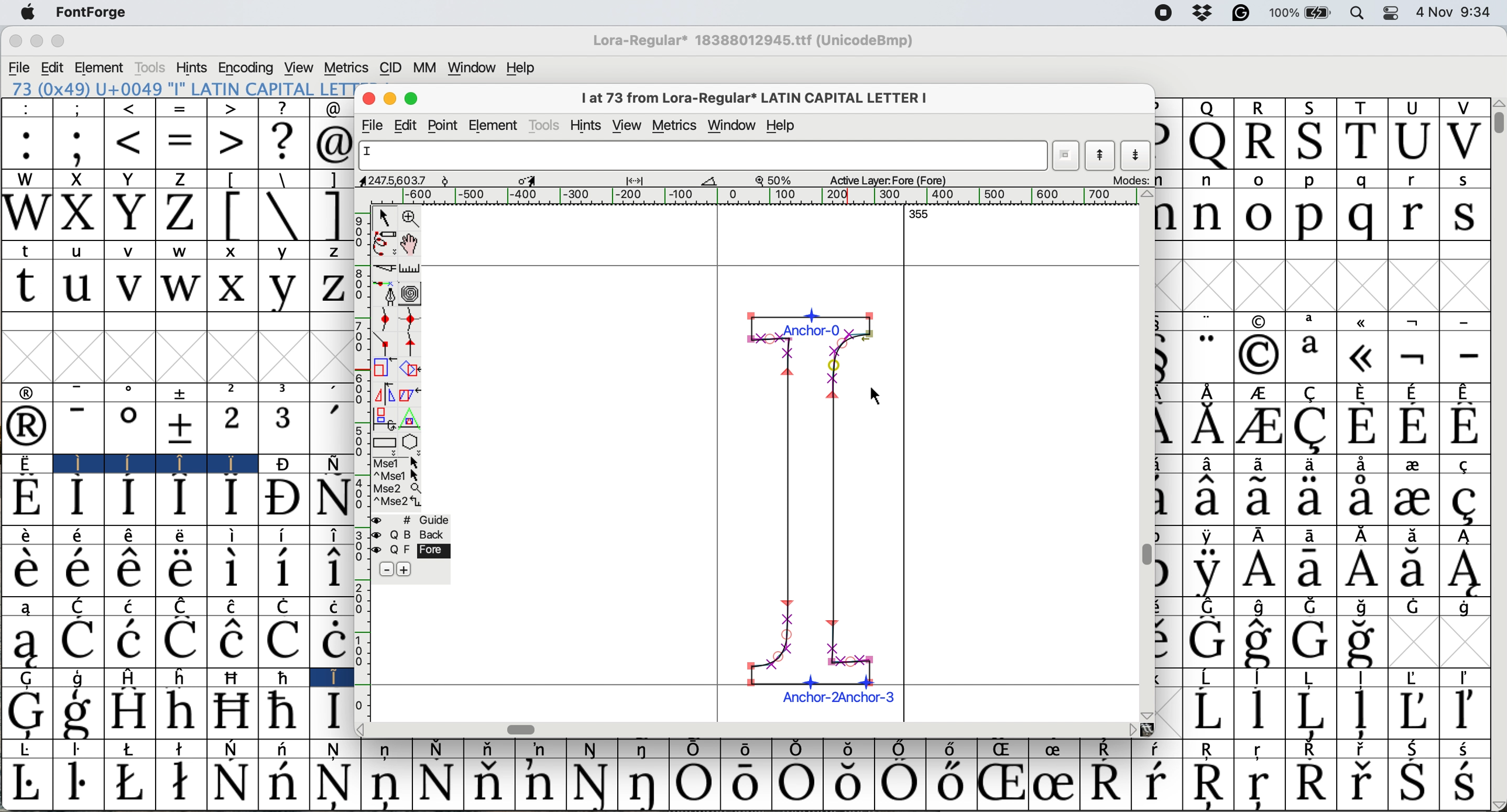 The width and height of the screenshot is (1507, 812). Describe the element at coordinates (645, 785) in the screenshot. I see `Symbol` at that location.